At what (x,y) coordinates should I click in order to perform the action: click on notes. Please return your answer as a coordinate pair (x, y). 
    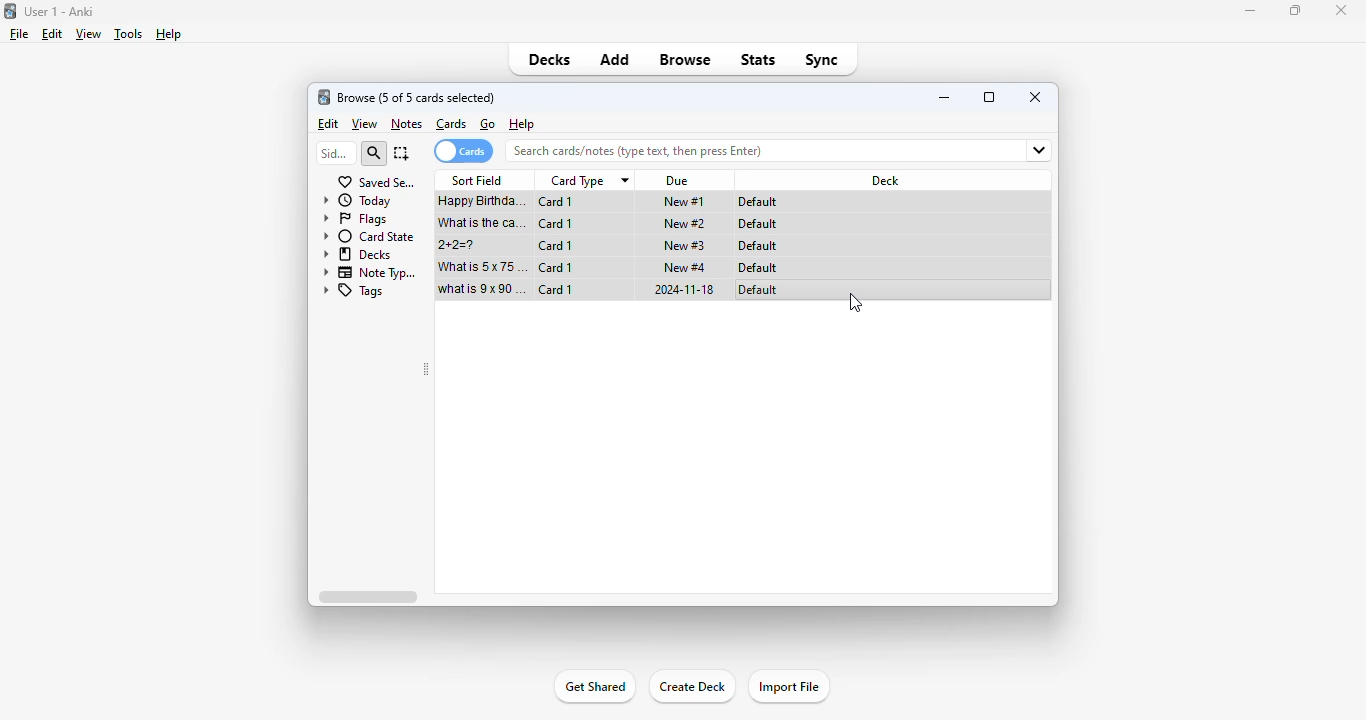
    Looking at the image, I should click on (406, 125).